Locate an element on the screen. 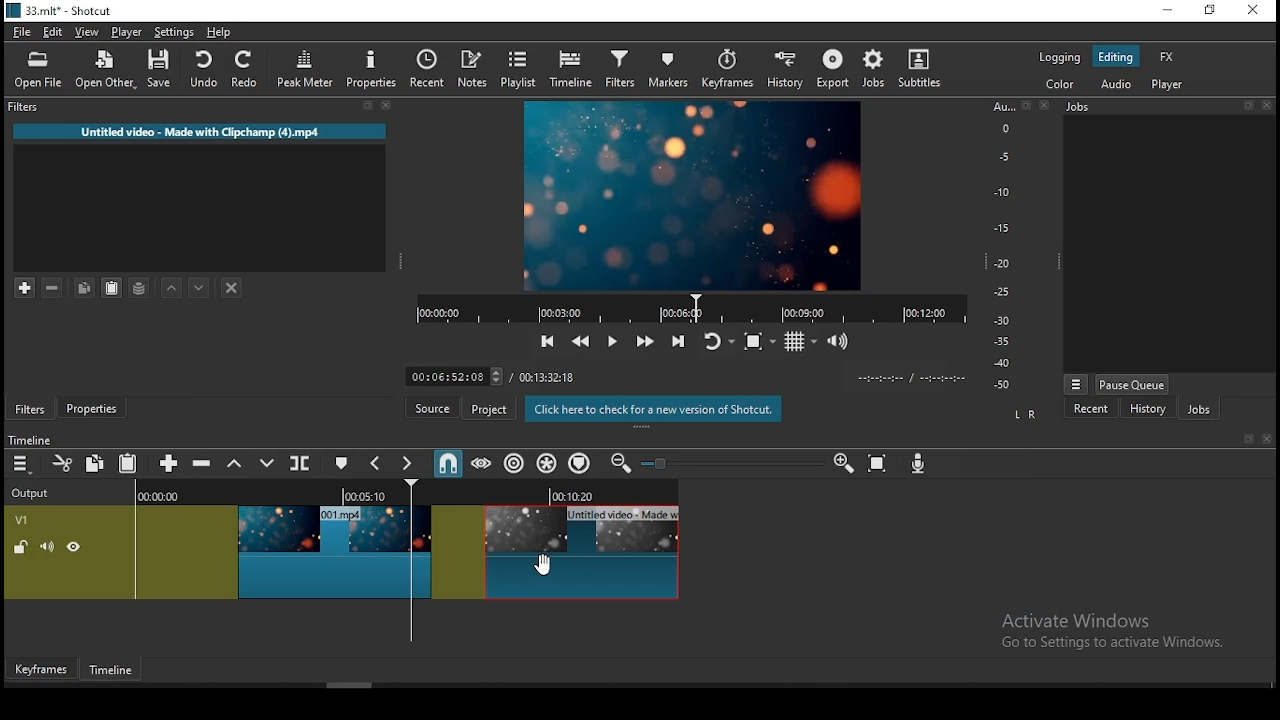  create/edit marker is located at coordinates (343, 465).